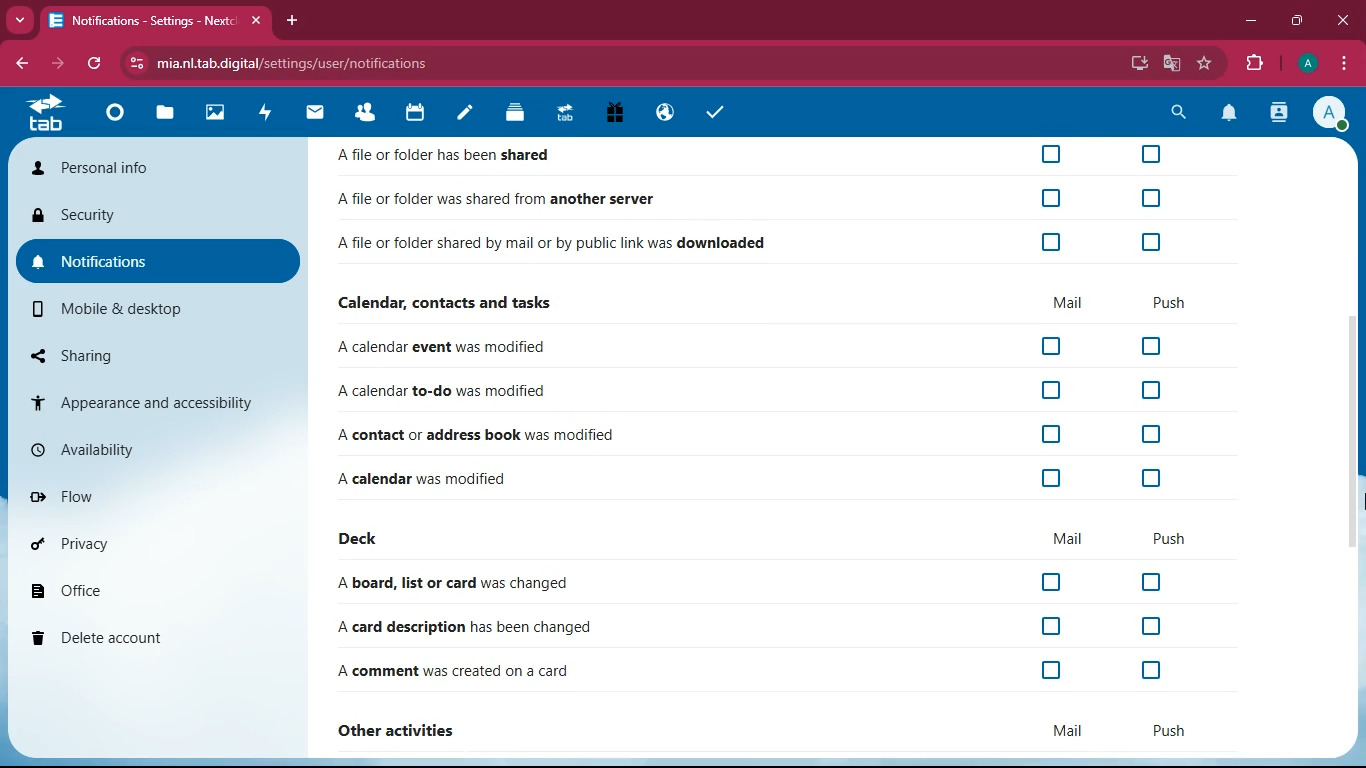  Describe the element at coordinates (155, 592) in the screenshot. I see `office` at that location.